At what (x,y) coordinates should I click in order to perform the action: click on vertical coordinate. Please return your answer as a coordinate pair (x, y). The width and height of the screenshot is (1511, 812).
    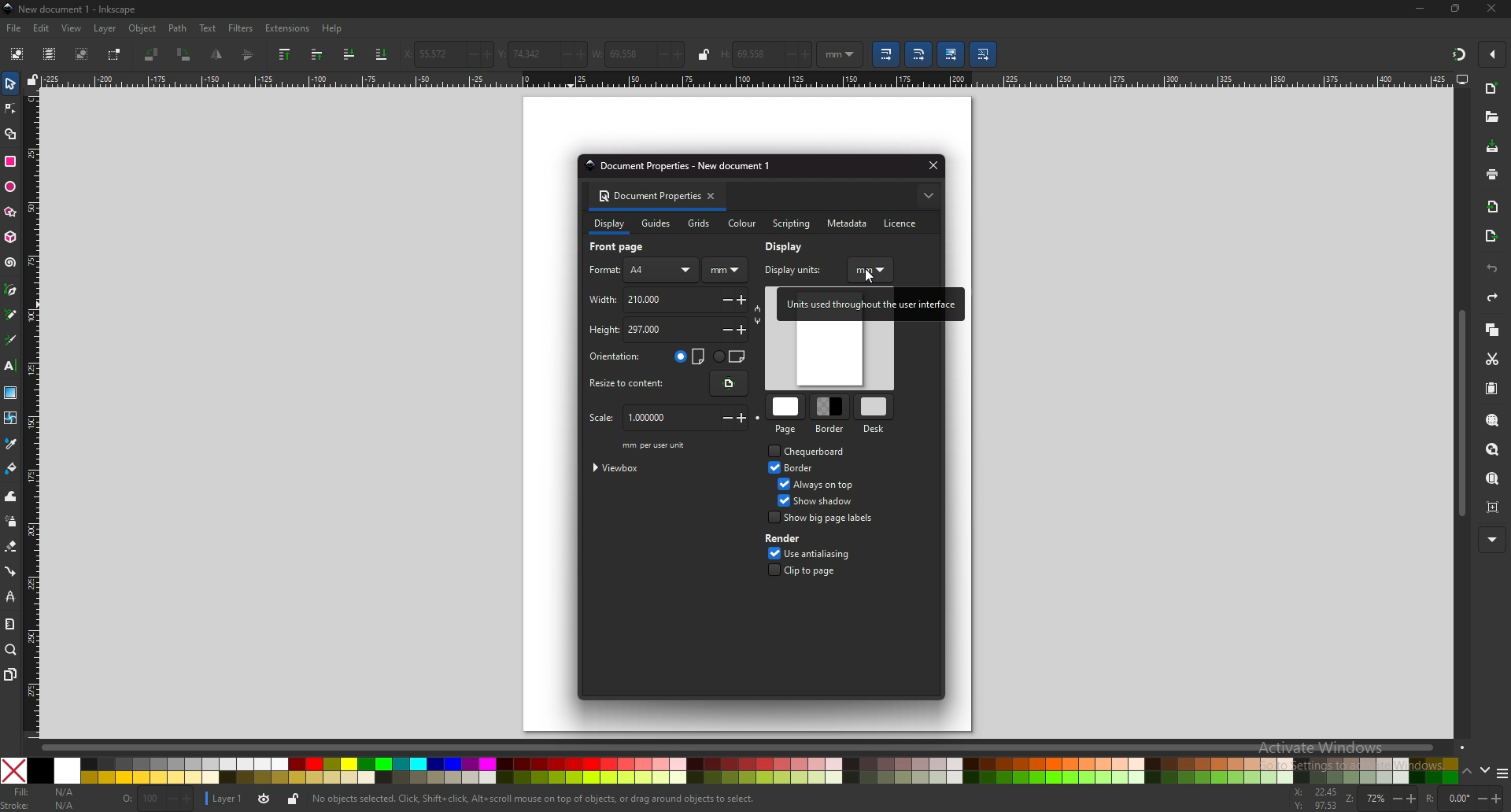
    Looking at the image, I should click on (519, 54).